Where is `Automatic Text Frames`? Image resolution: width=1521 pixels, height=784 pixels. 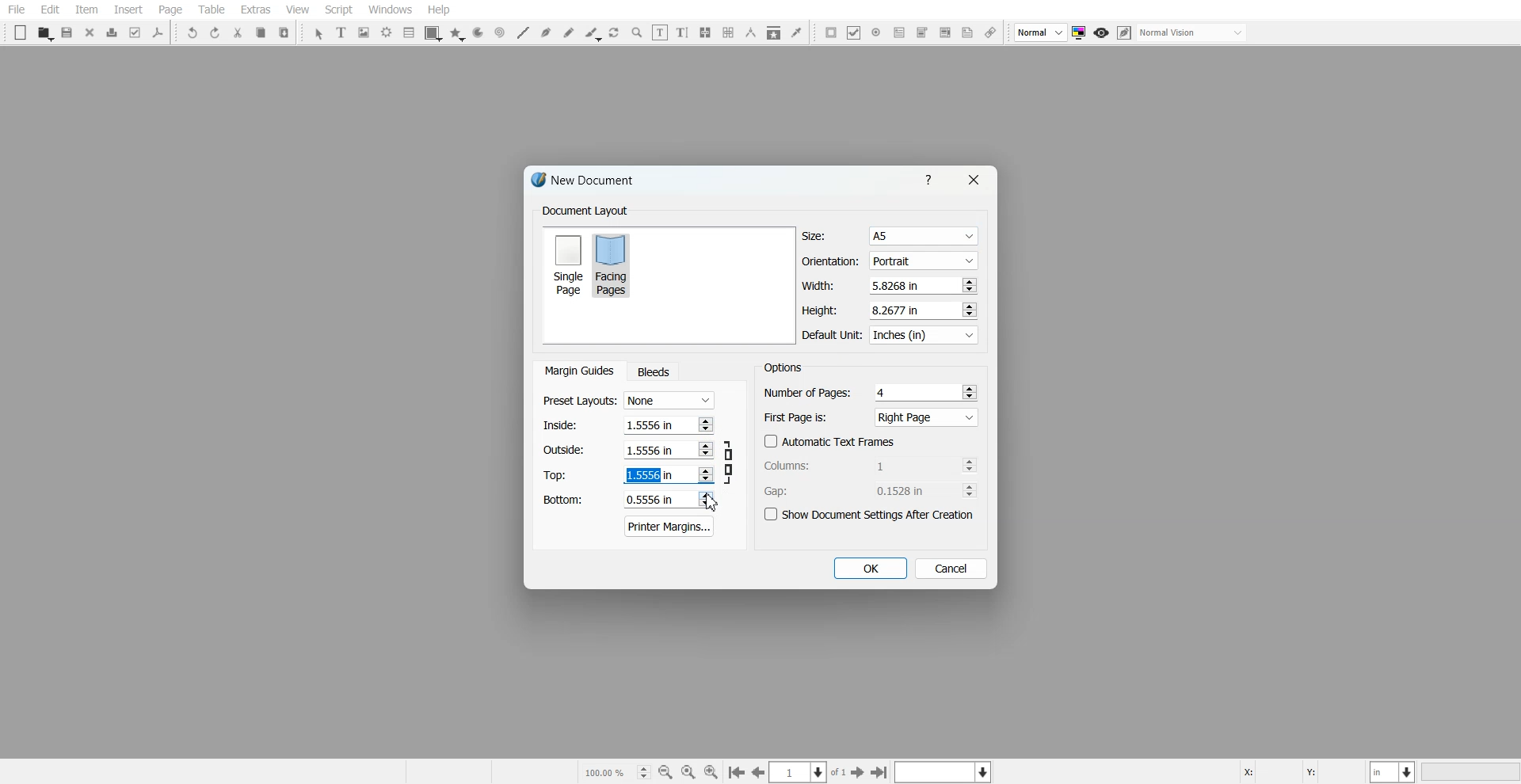
Automatic Text Frames is located at coordinates (830, 441).